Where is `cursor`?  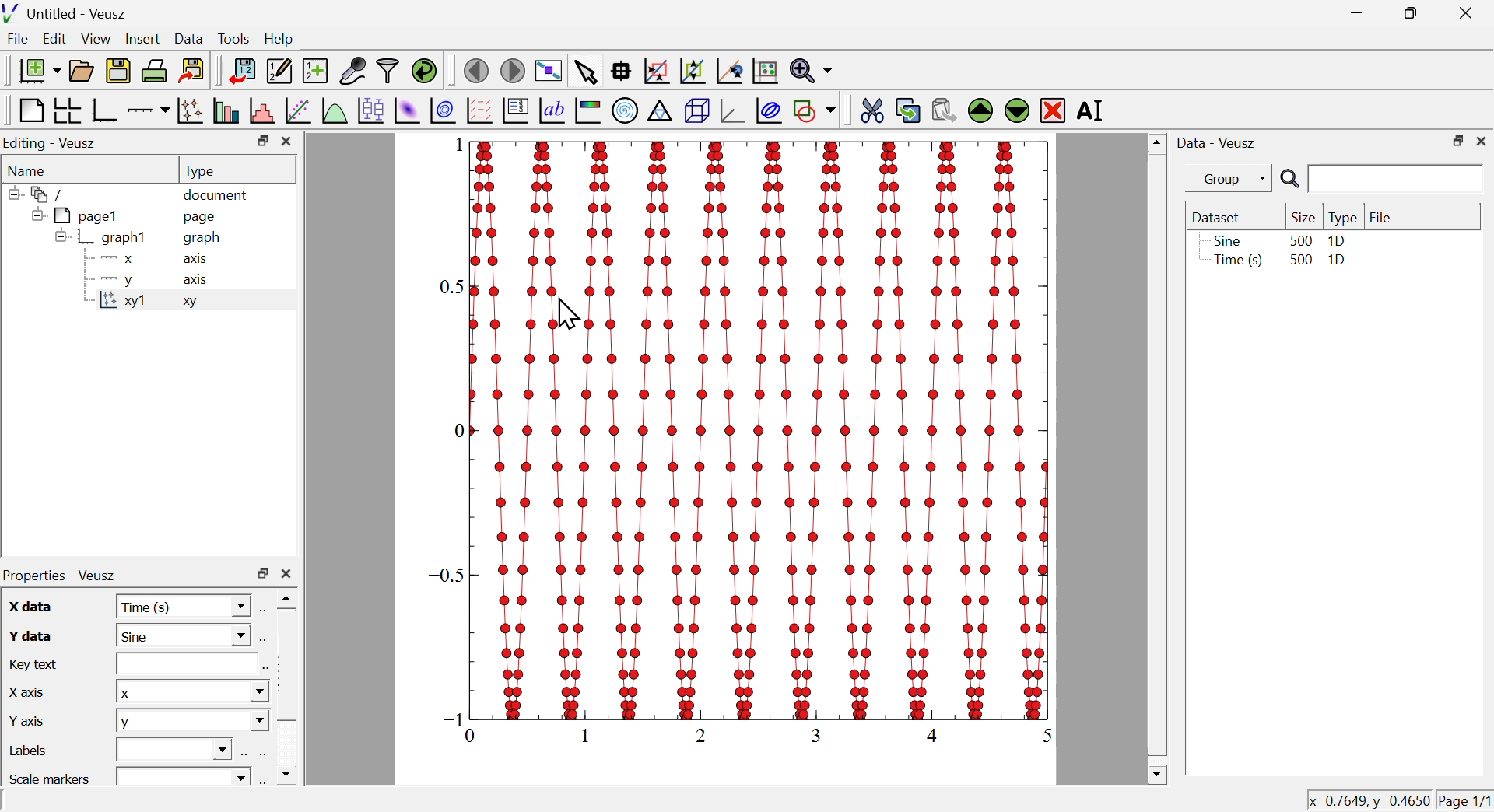 cursor is located at coordinates (570, 314).